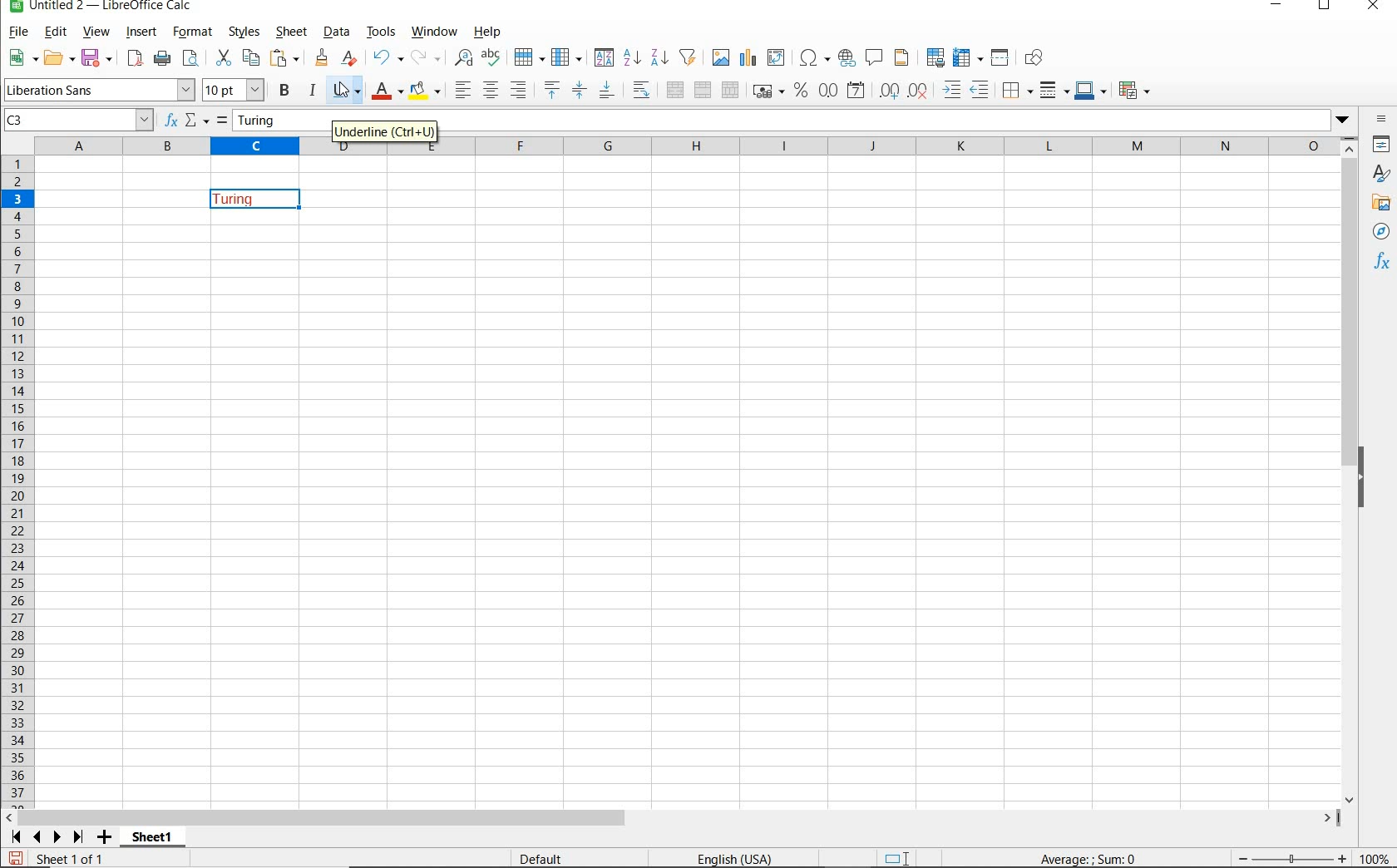 The image size is (1397, 868). Describe the element at coordinates (1084, 860) in the screenshot. I see `FORMULA` at that location.